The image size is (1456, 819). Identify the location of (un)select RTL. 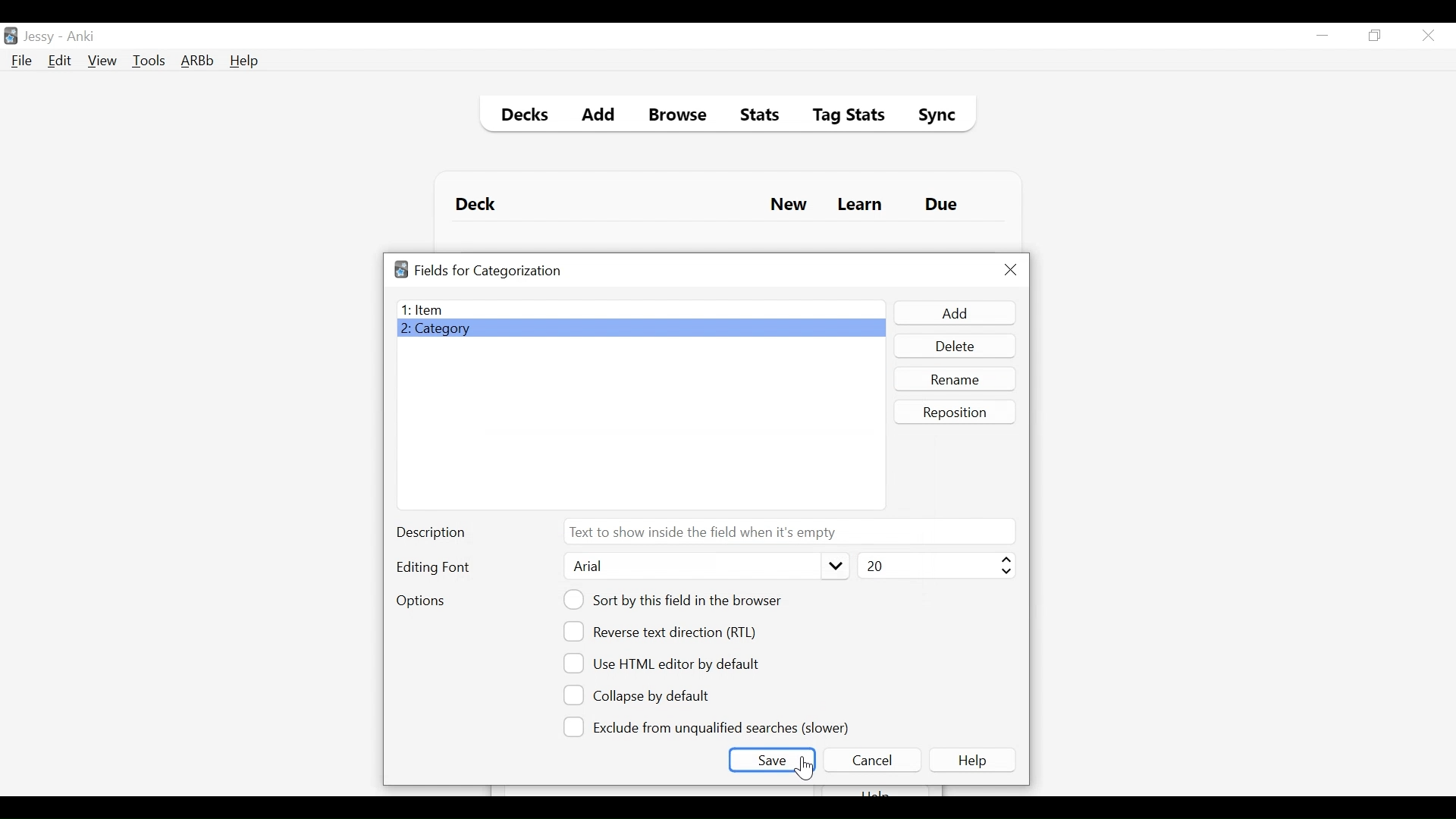
(667, 632).